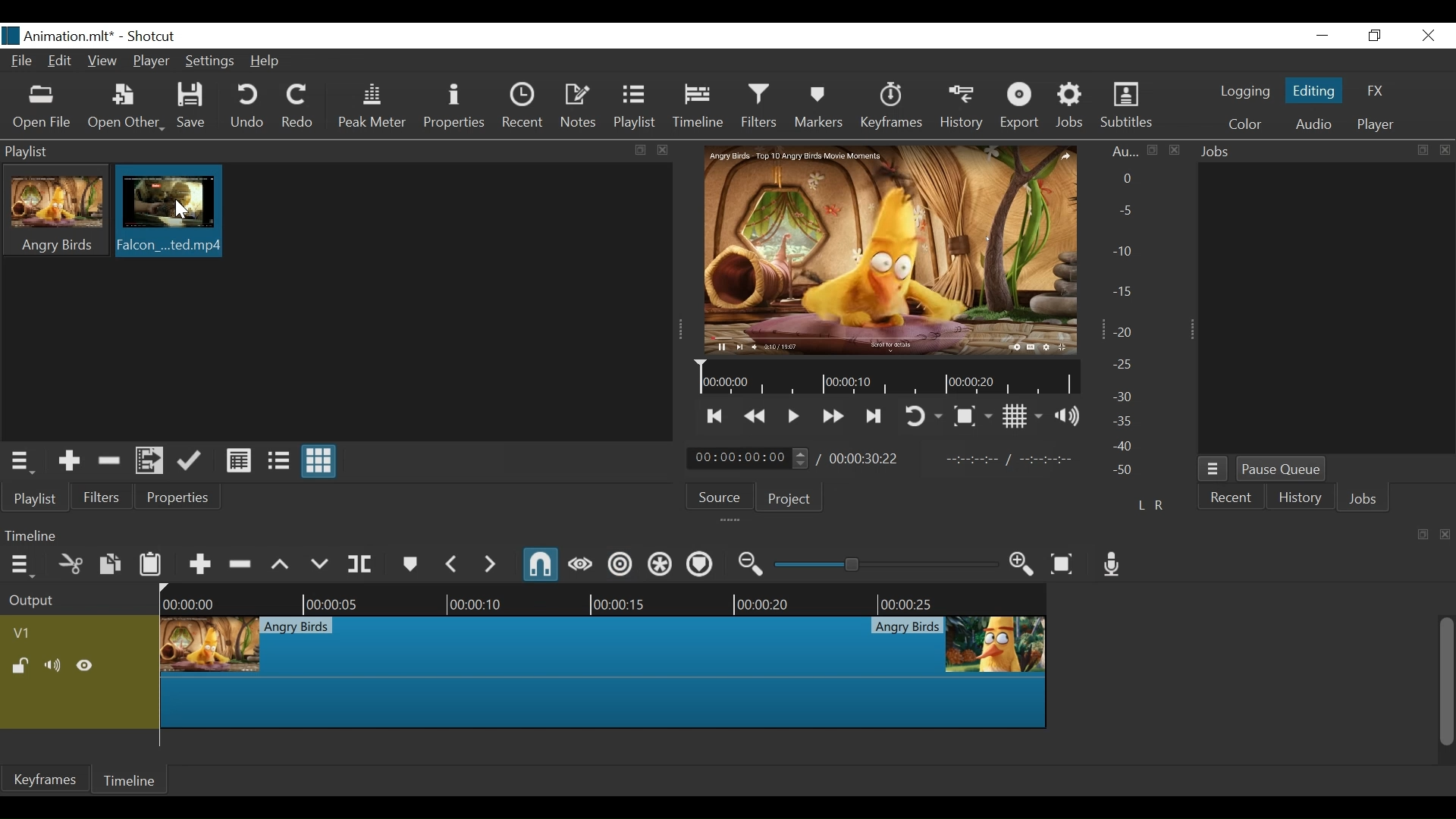 The width and height of the screenshot is (1456, 819). I want to click on Audio, so click(1312, 124).